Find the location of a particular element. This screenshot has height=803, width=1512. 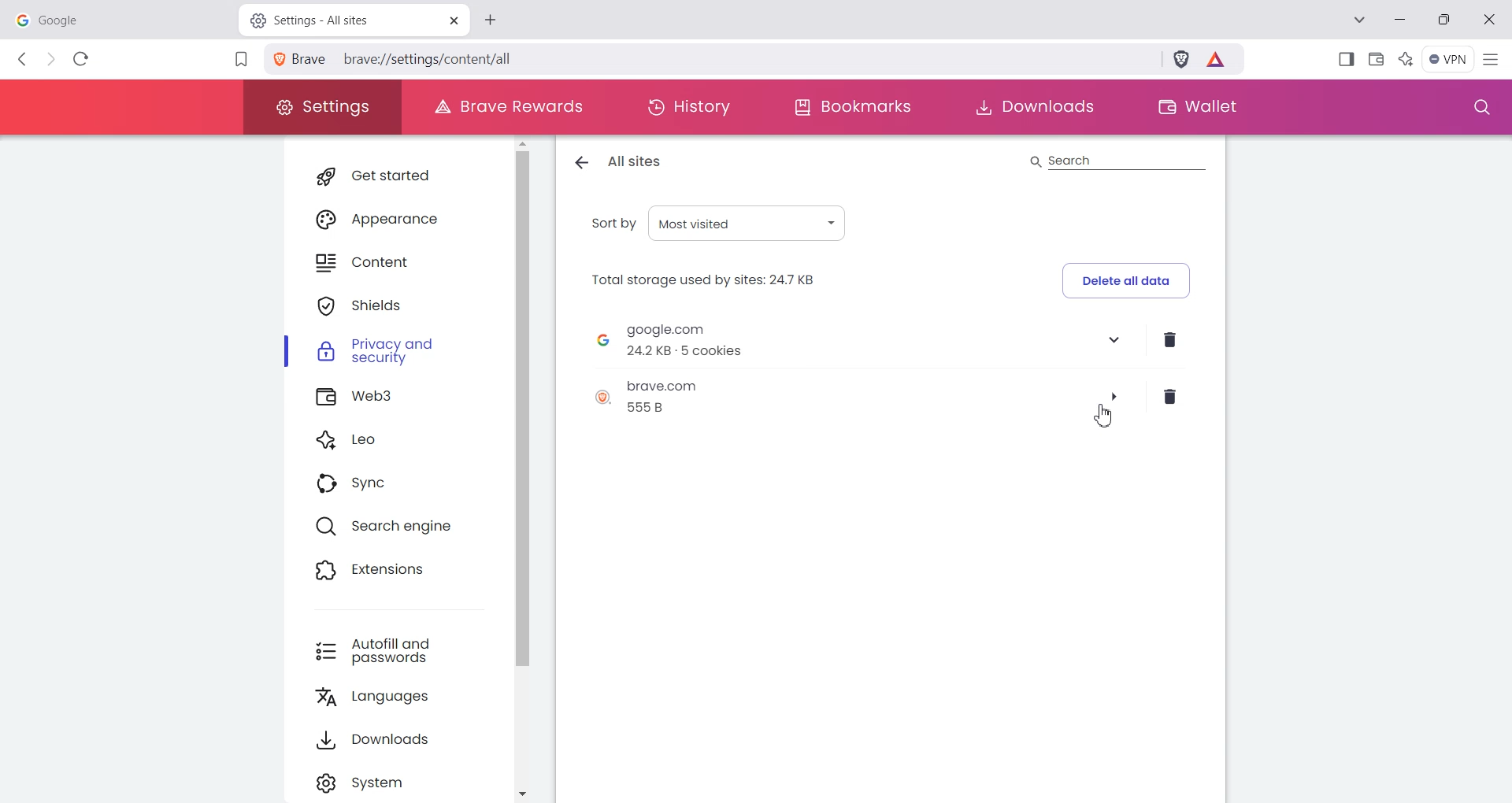

Brave site is located at coordinates (858, 395).